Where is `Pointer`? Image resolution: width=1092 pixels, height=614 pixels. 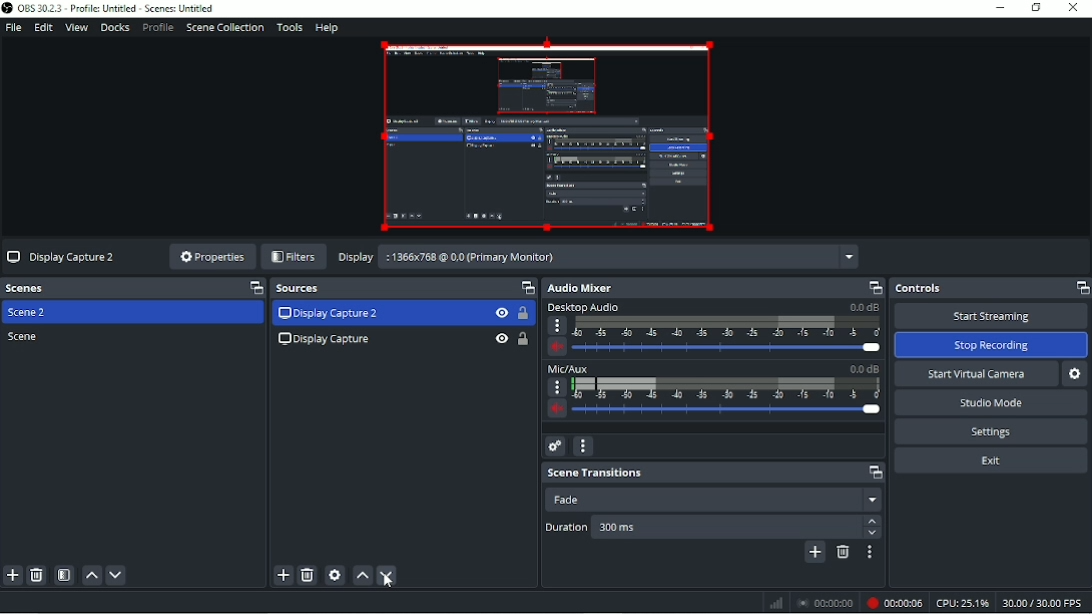
Pointer is located at coordinates (394, 586).